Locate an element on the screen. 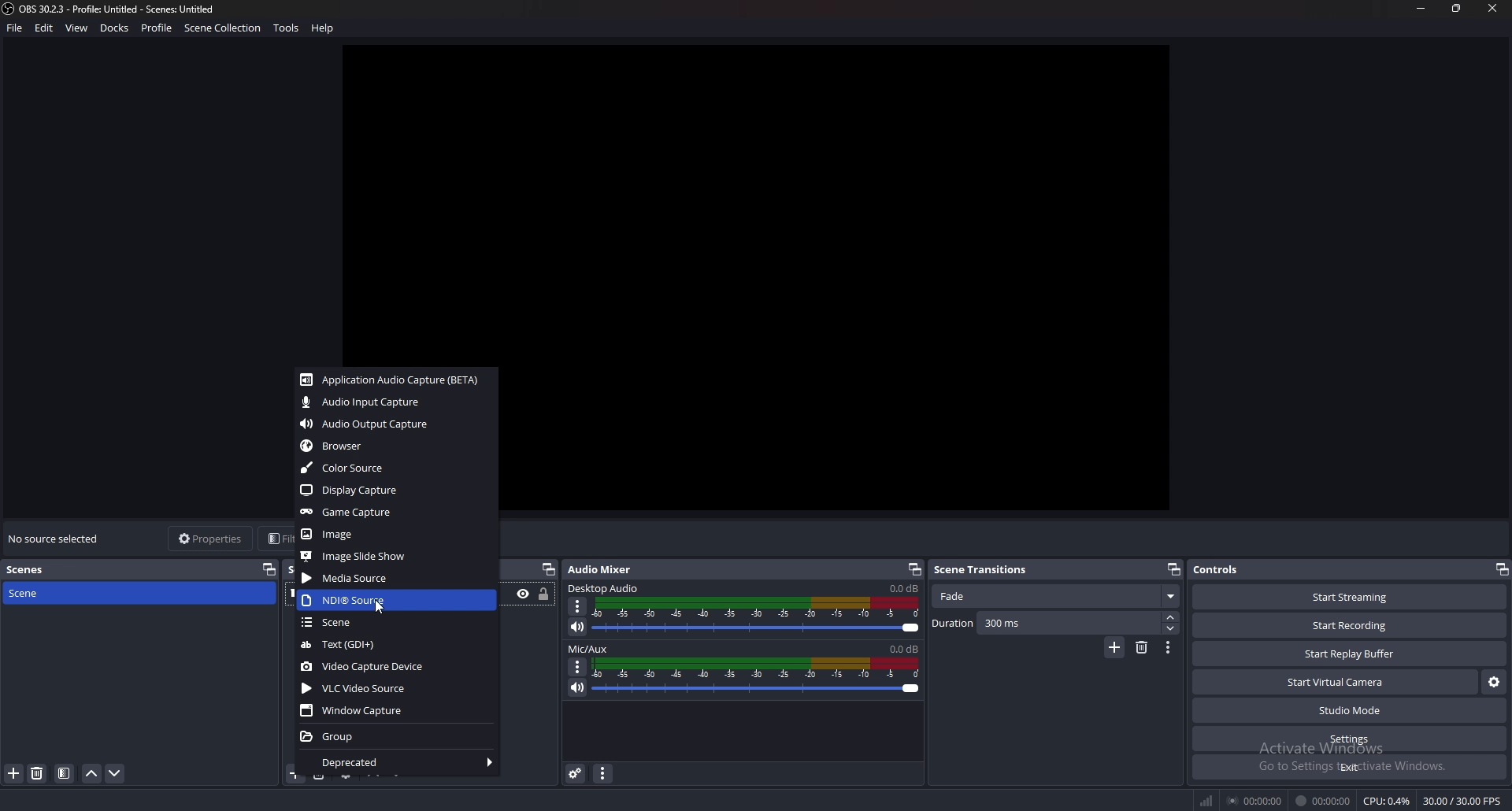  pop out is located at coordinates (548, 569).